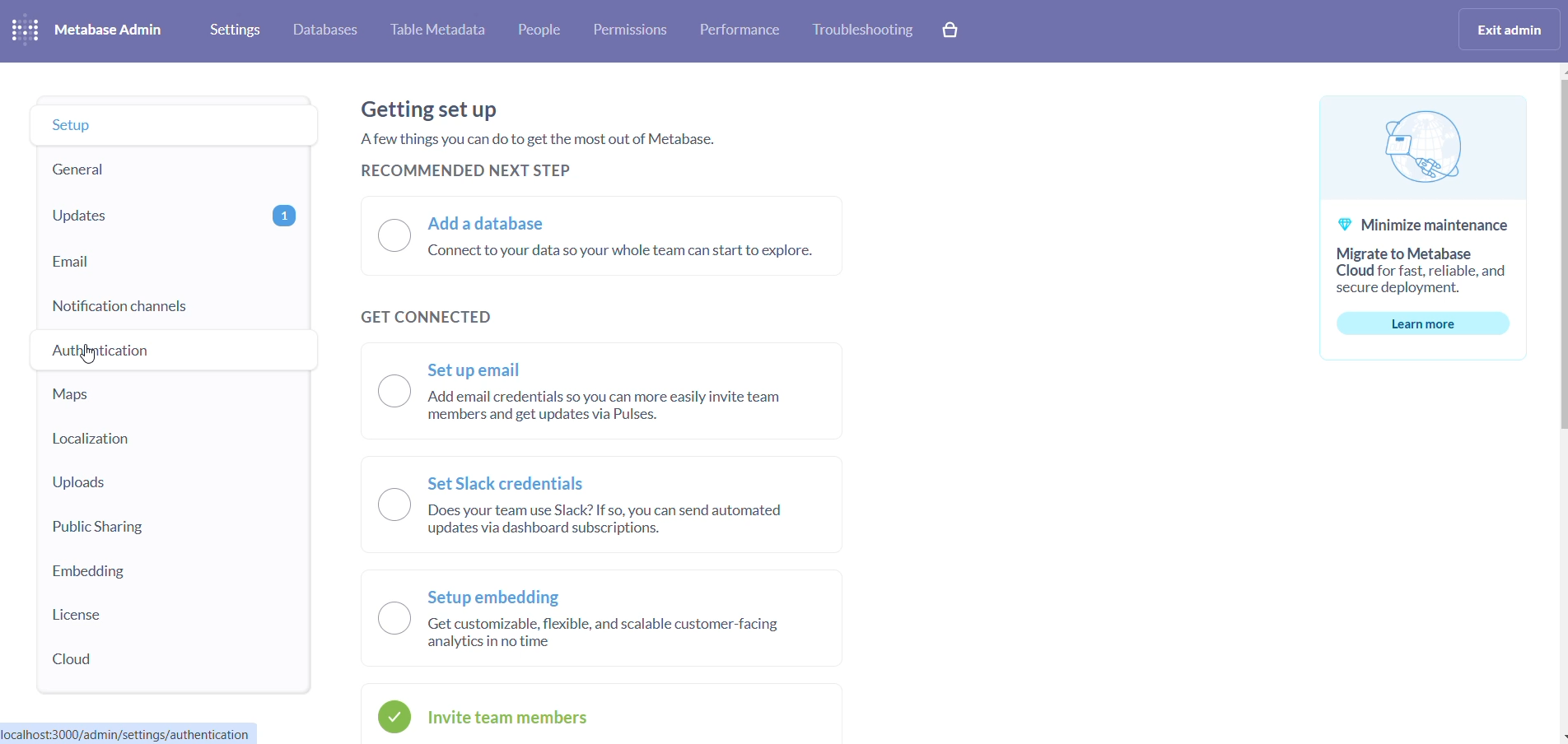 The image size is (1568, 744). What do you see at coordinates (1422, 146) in the screenshot?
I see `logo` at bounding box center [1422, 146].